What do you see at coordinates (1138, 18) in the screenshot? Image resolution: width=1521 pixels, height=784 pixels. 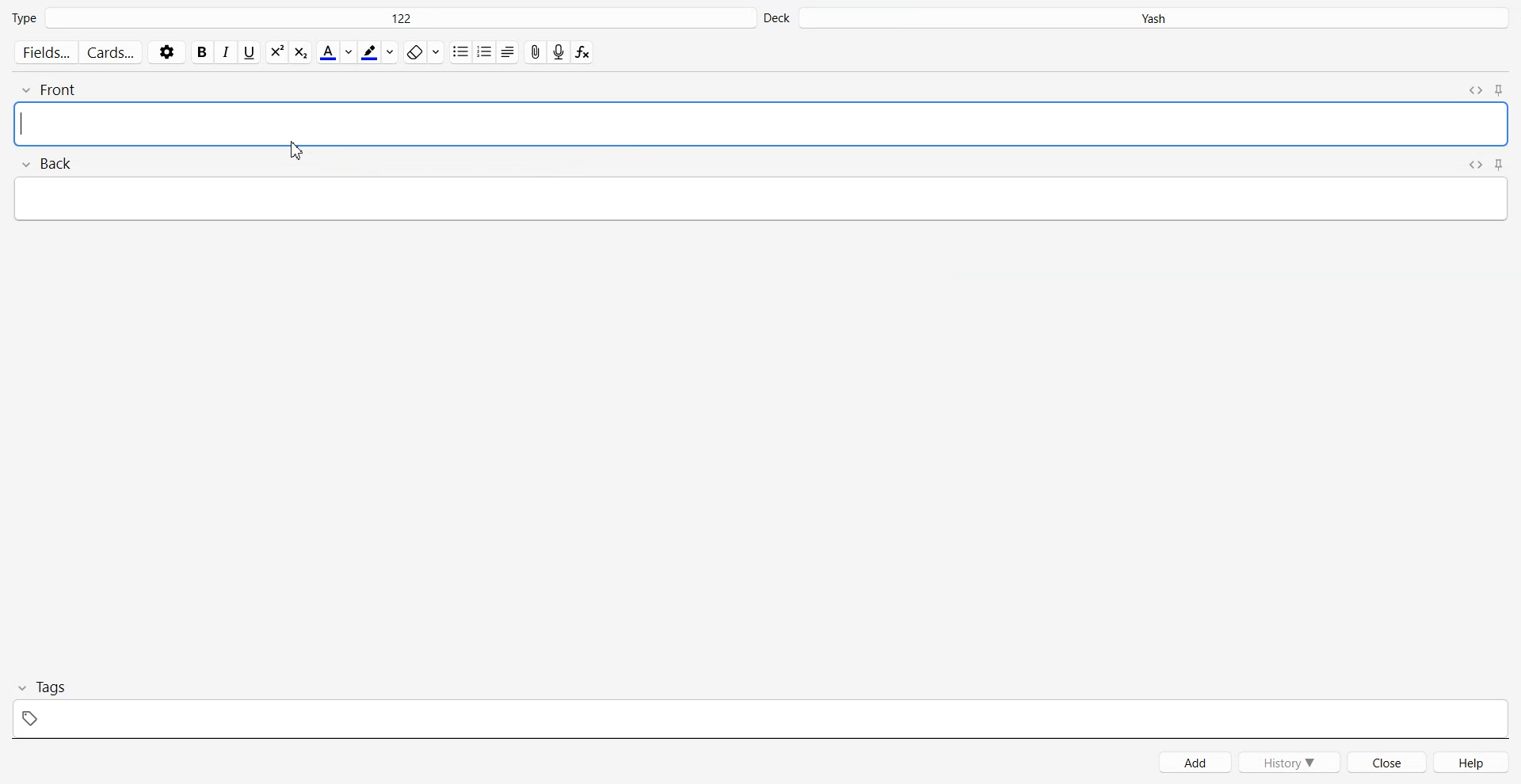 I see `Deck` at bounding box center [1138, 18].